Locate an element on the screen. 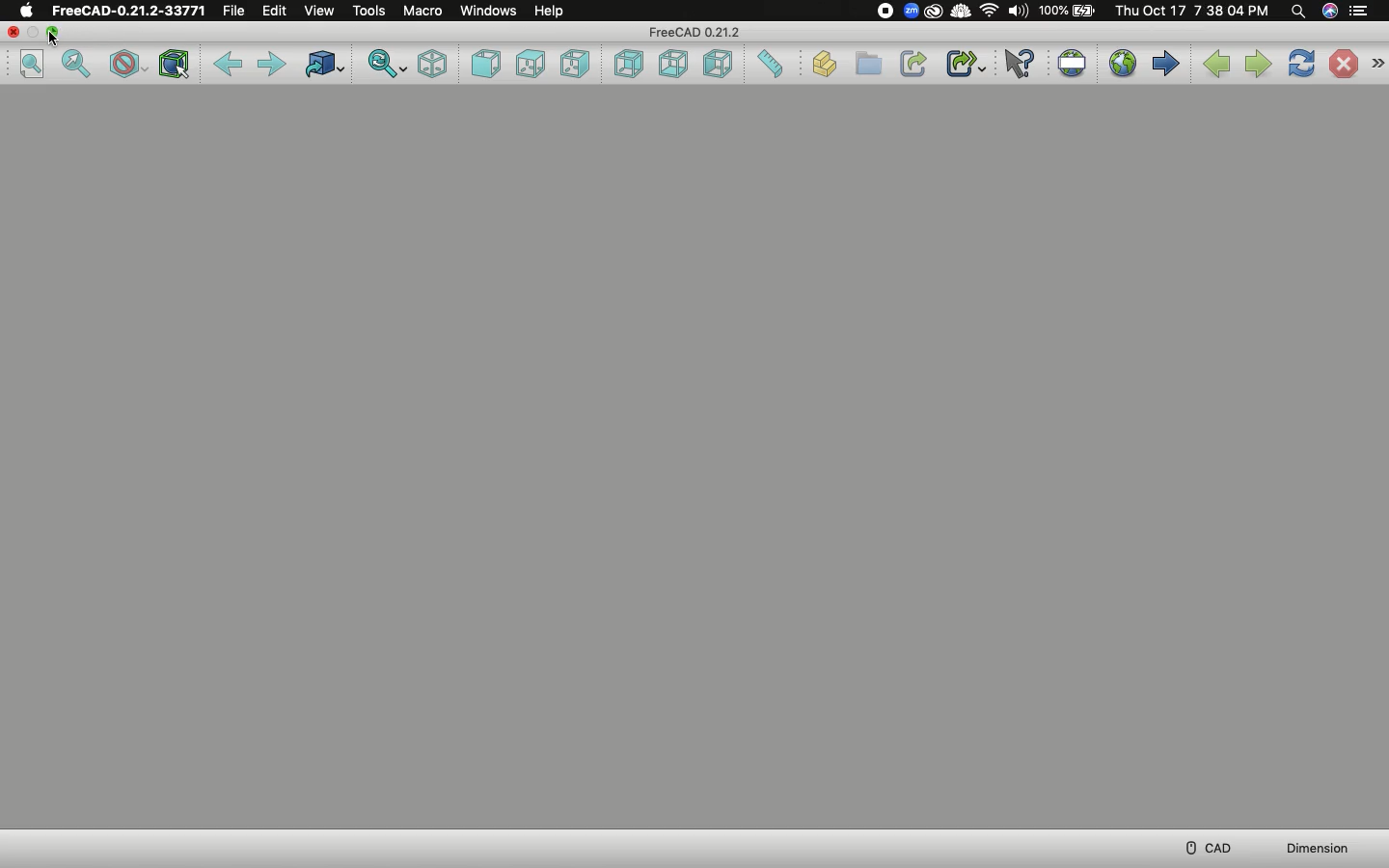 Image resolution: width=1389 pixels, height=868 pixels. Go to linked object is located at coordinates (325, 65).